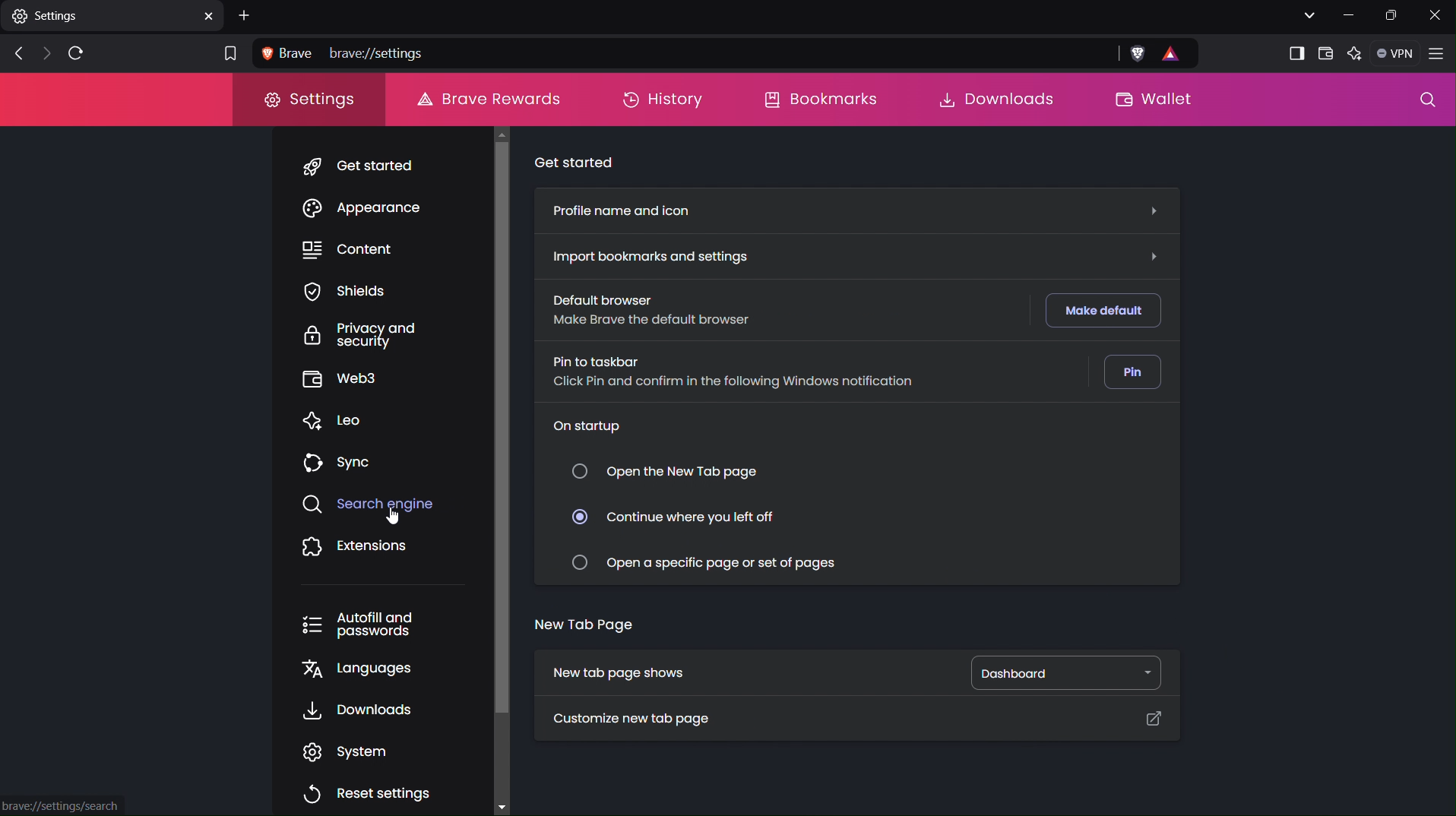 This screenshot has height=816, width=1456. I want to click on Address bar, so click(679, 52).